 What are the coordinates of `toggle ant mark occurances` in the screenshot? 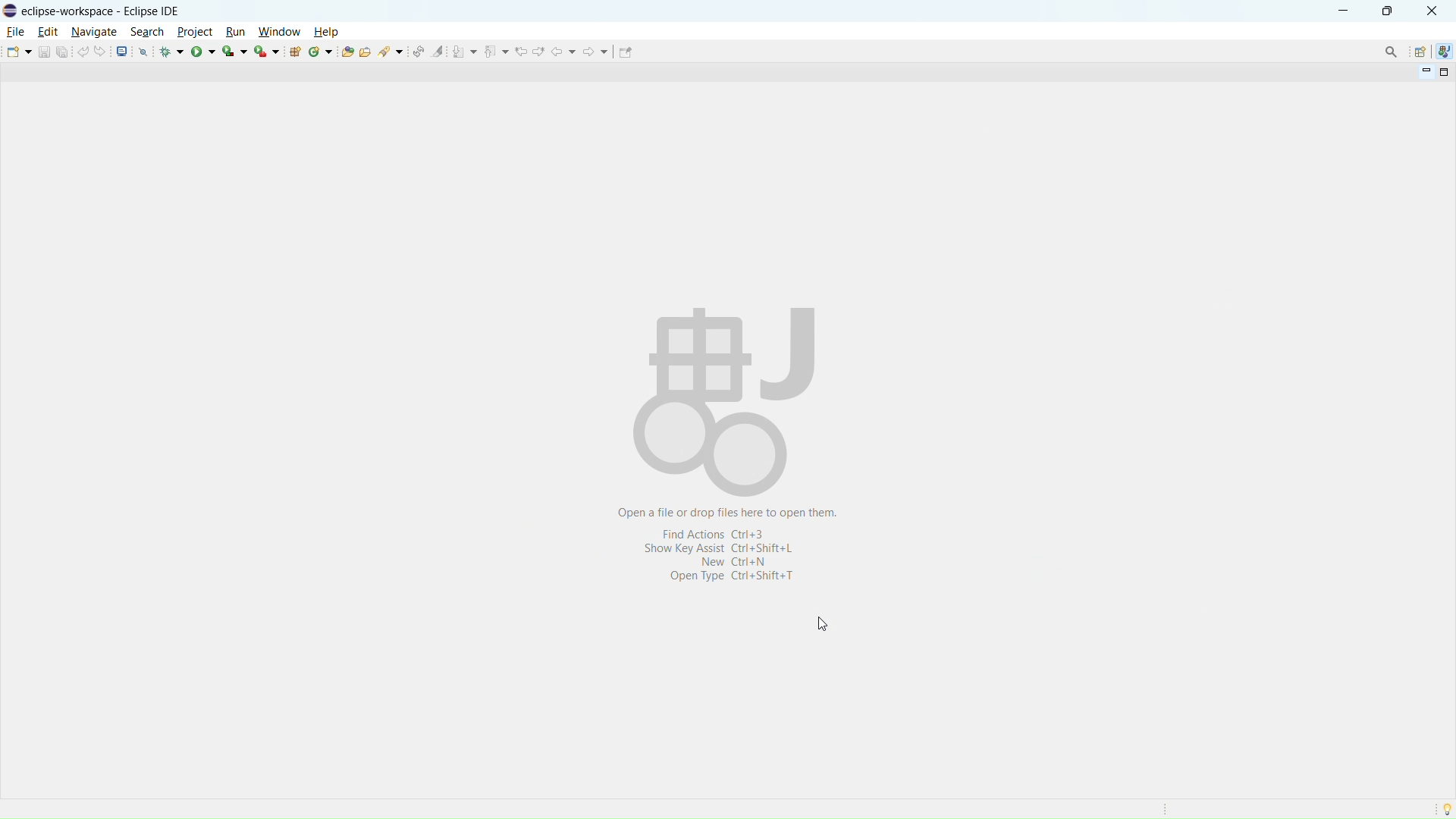 It's located at (438, 51).